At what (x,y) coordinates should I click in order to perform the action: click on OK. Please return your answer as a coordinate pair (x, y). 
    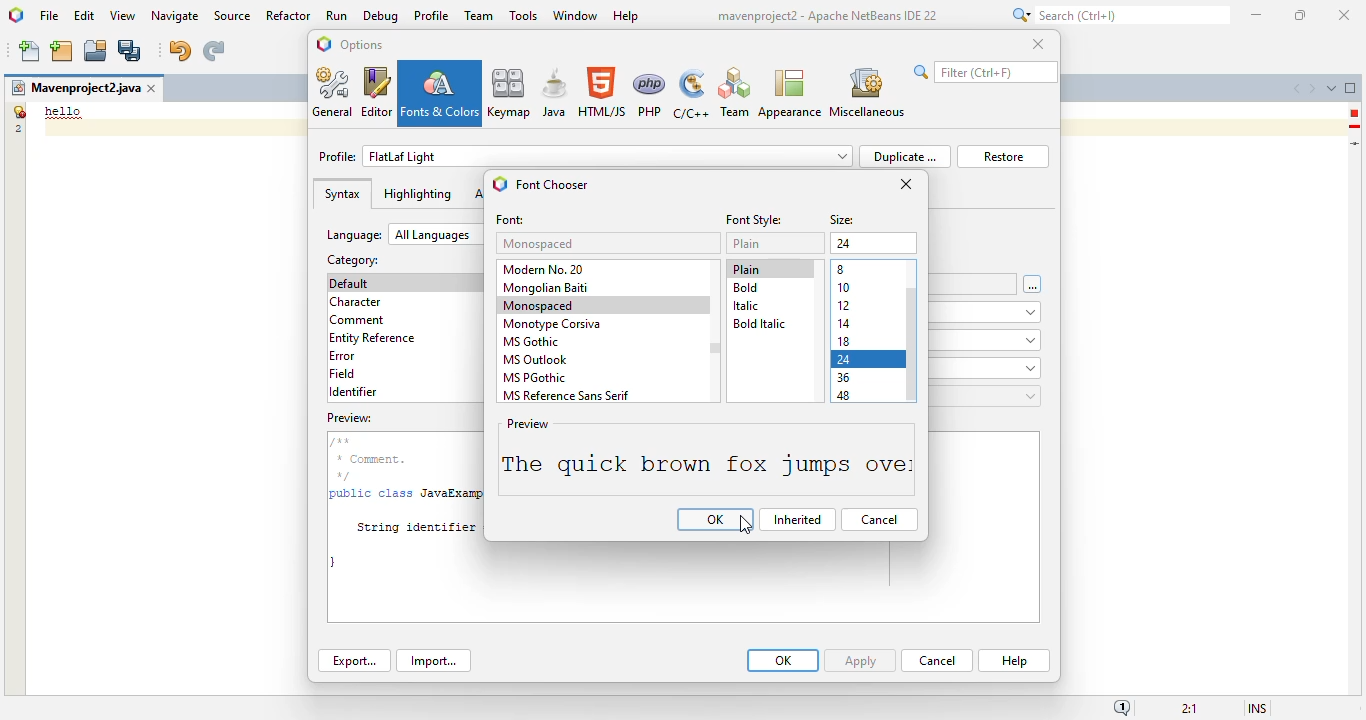
    Looking at the image, I should click on (783, 660).